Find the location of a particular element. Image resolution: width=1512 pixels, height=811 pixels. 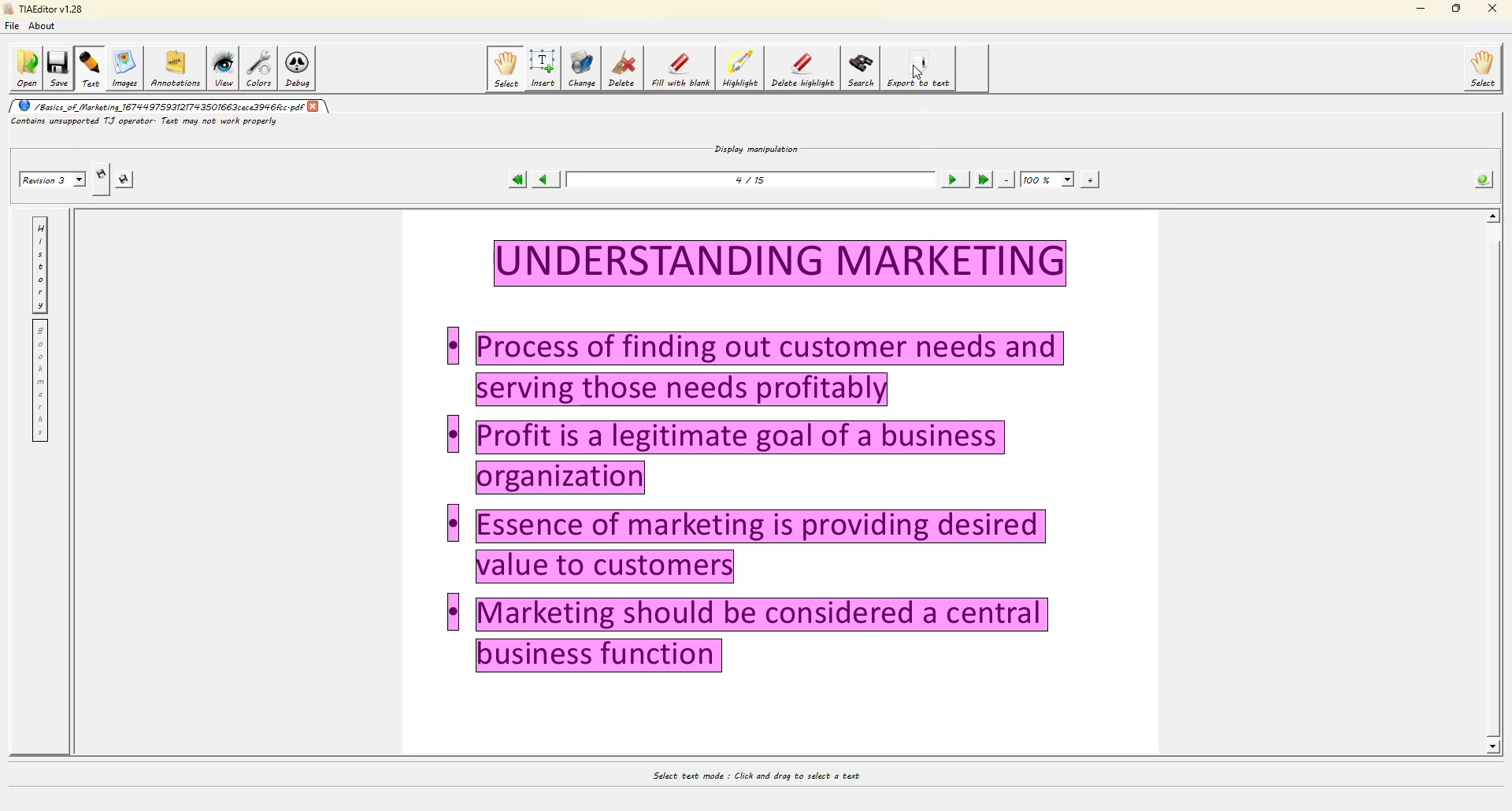

close is located at coordinates (1493, 8).